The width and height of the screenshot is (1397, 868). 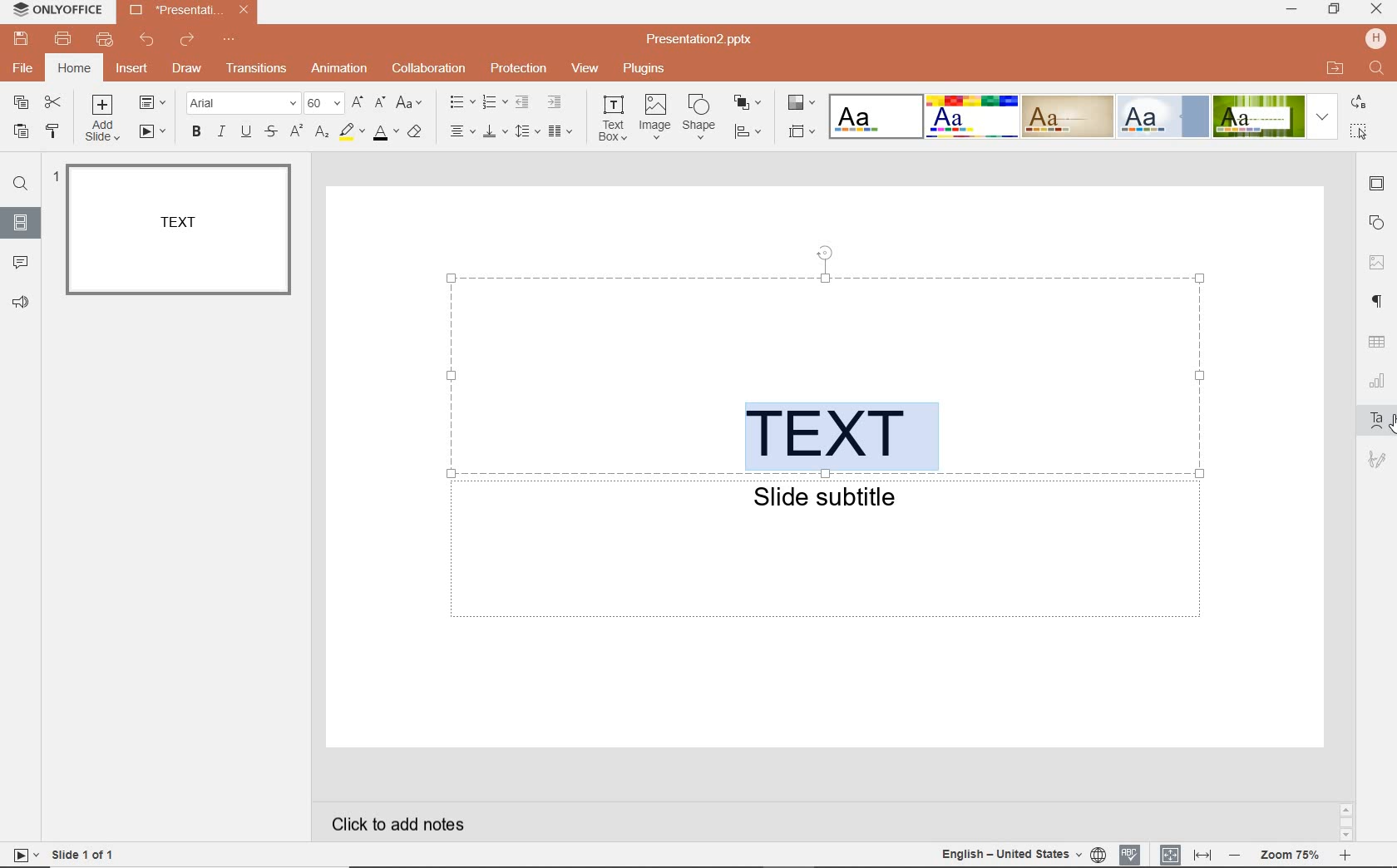 What do you see at coordinates (827, 555) in the screenshot?
I see `TEXT FIELD` at bounding box center [827, 555].